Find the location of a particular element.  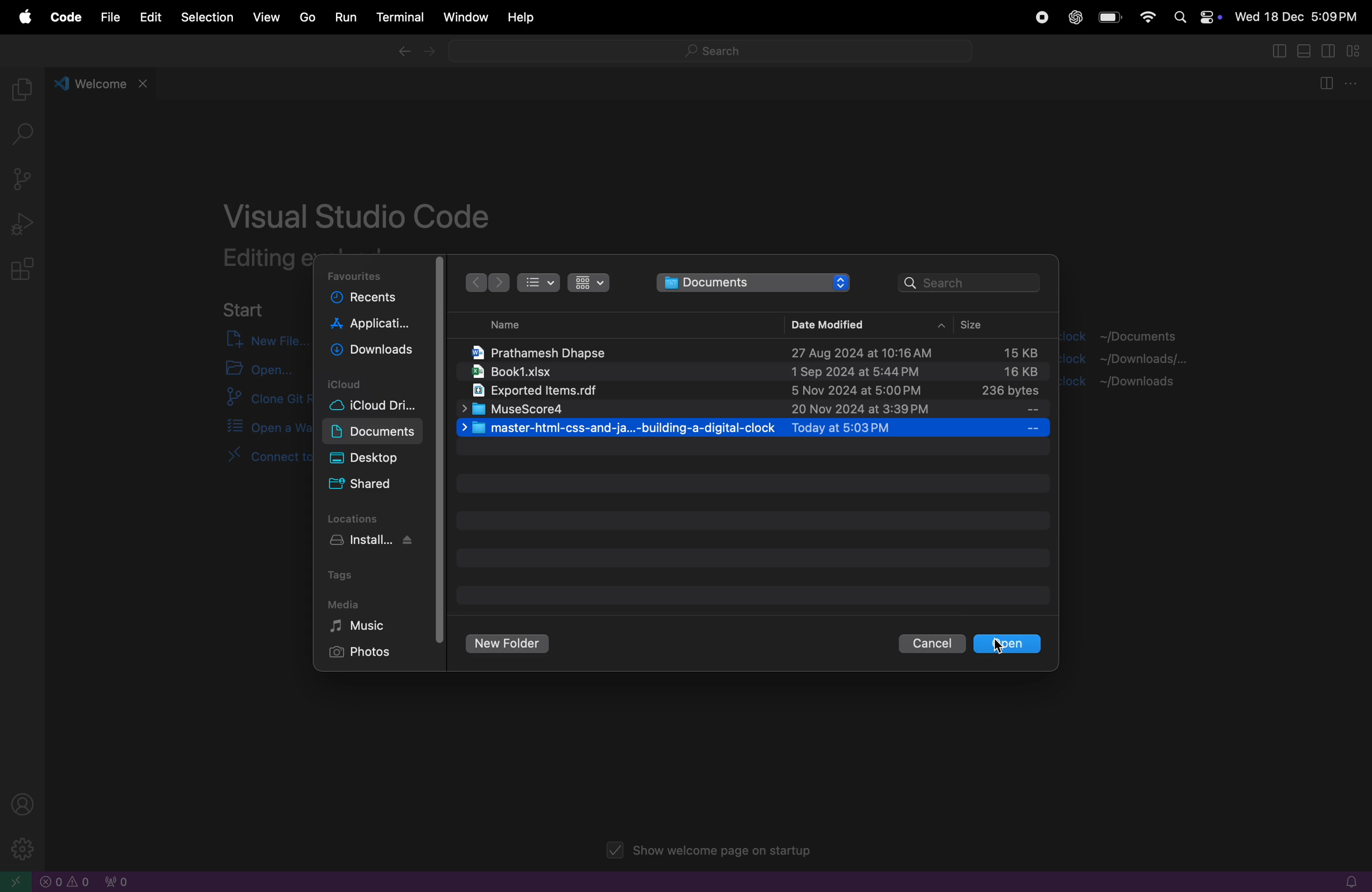

file is located at coordinates (754, 428).